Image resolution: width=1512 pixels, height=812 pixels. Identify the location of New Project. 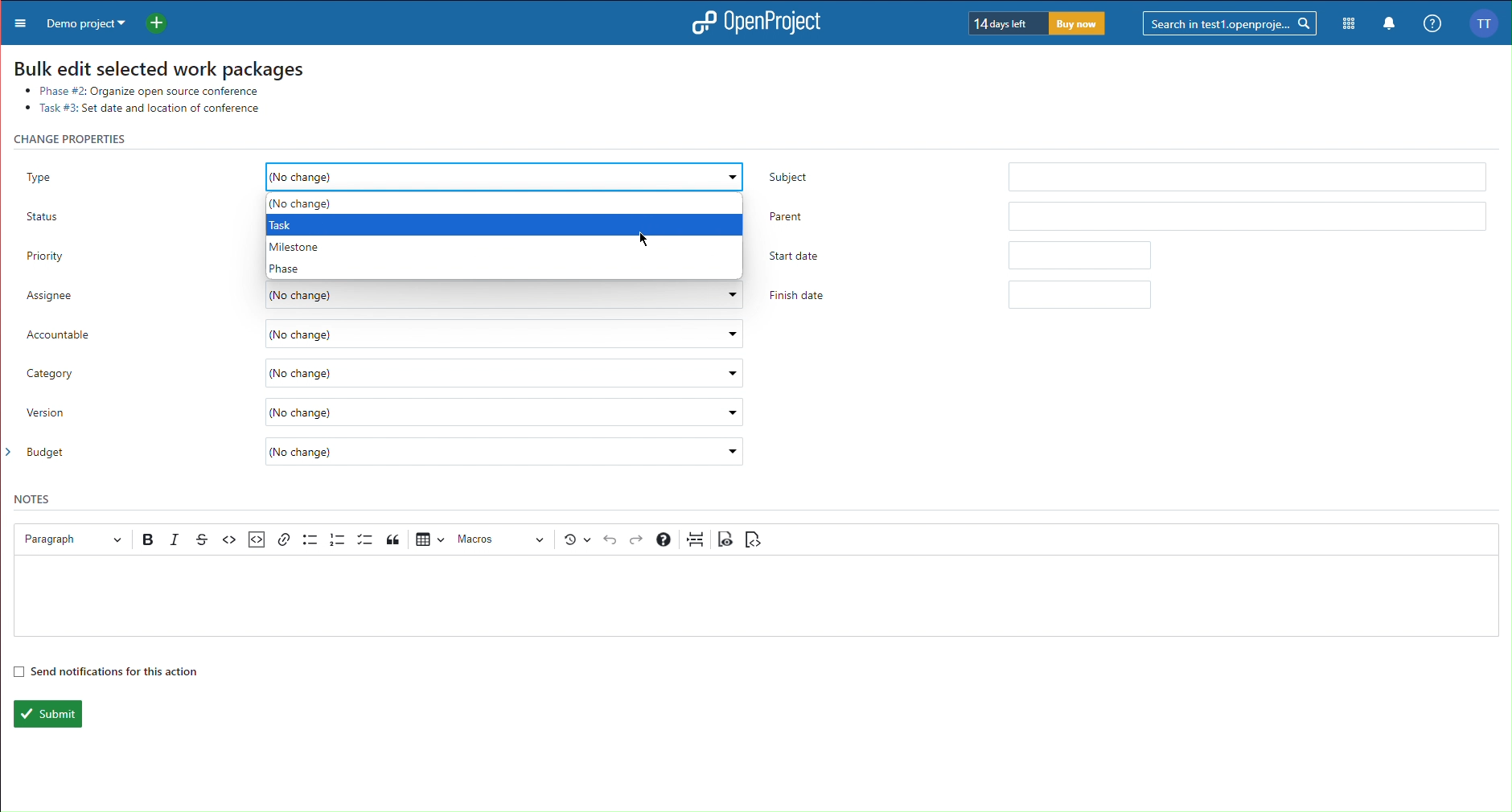
(162, 21).